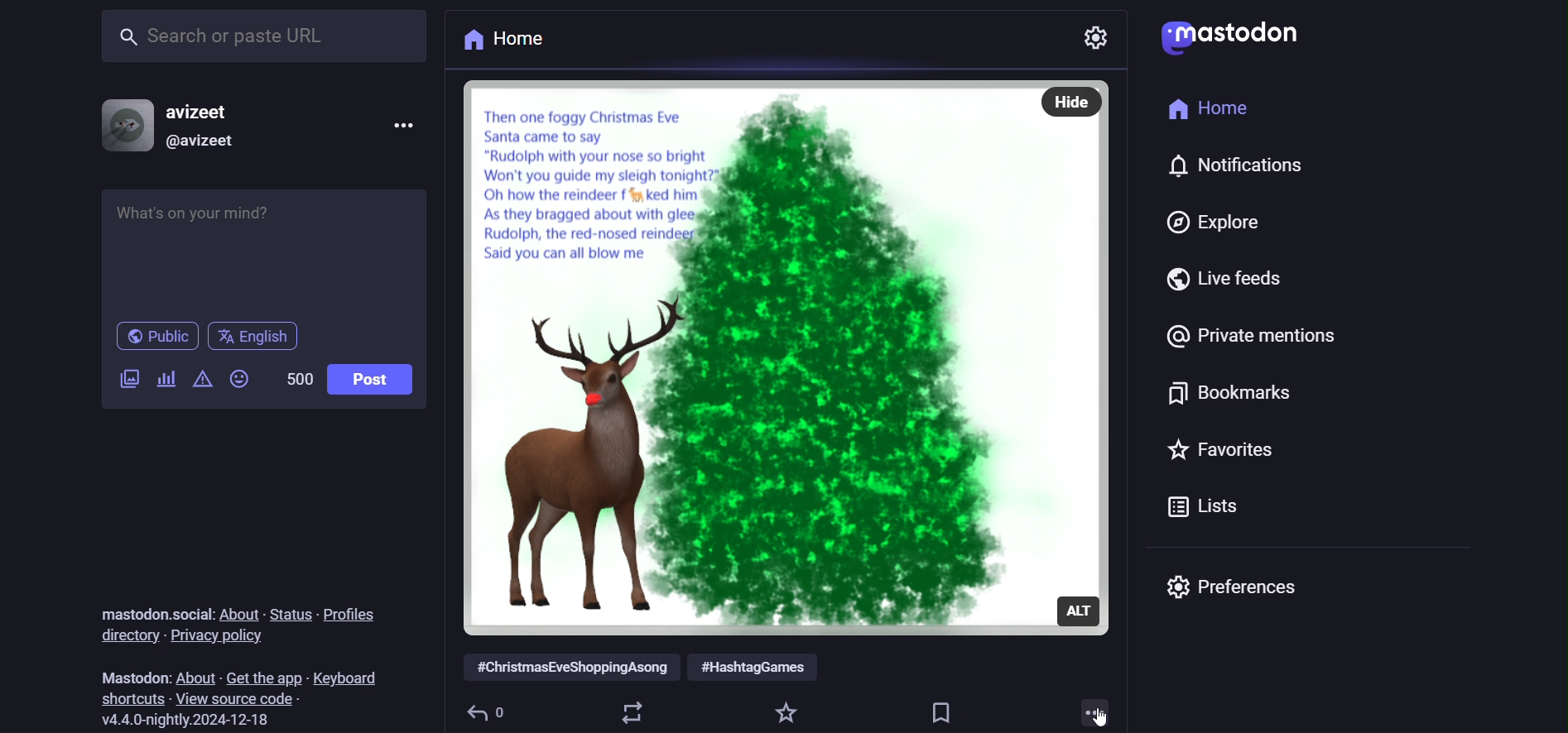 This screenshot has height=733, width=1568. What do you see at coordinates (183, 720) in the screenshot?
I see `version` at bounding box center [183, 720].